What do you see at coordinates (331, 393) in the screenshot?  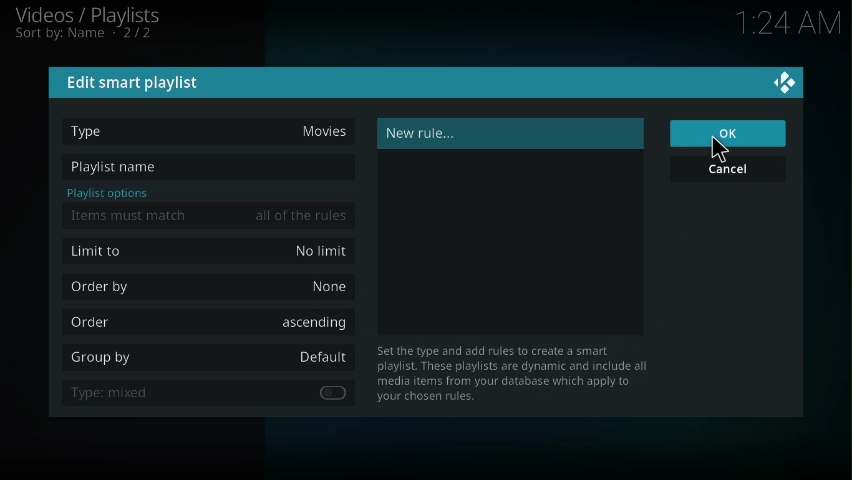 I see `enable` at bounding box center [331, 393].